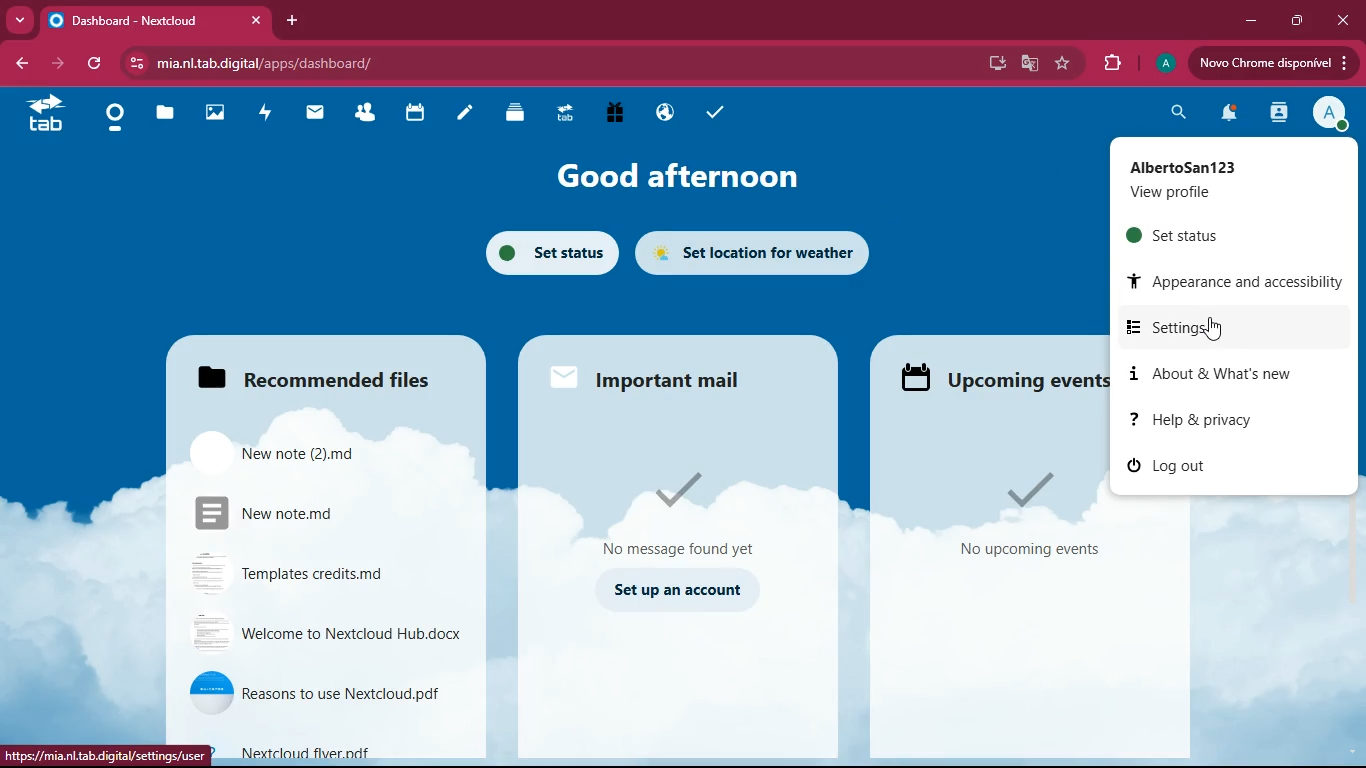  I want to click on google translate, so click(1028, 61).